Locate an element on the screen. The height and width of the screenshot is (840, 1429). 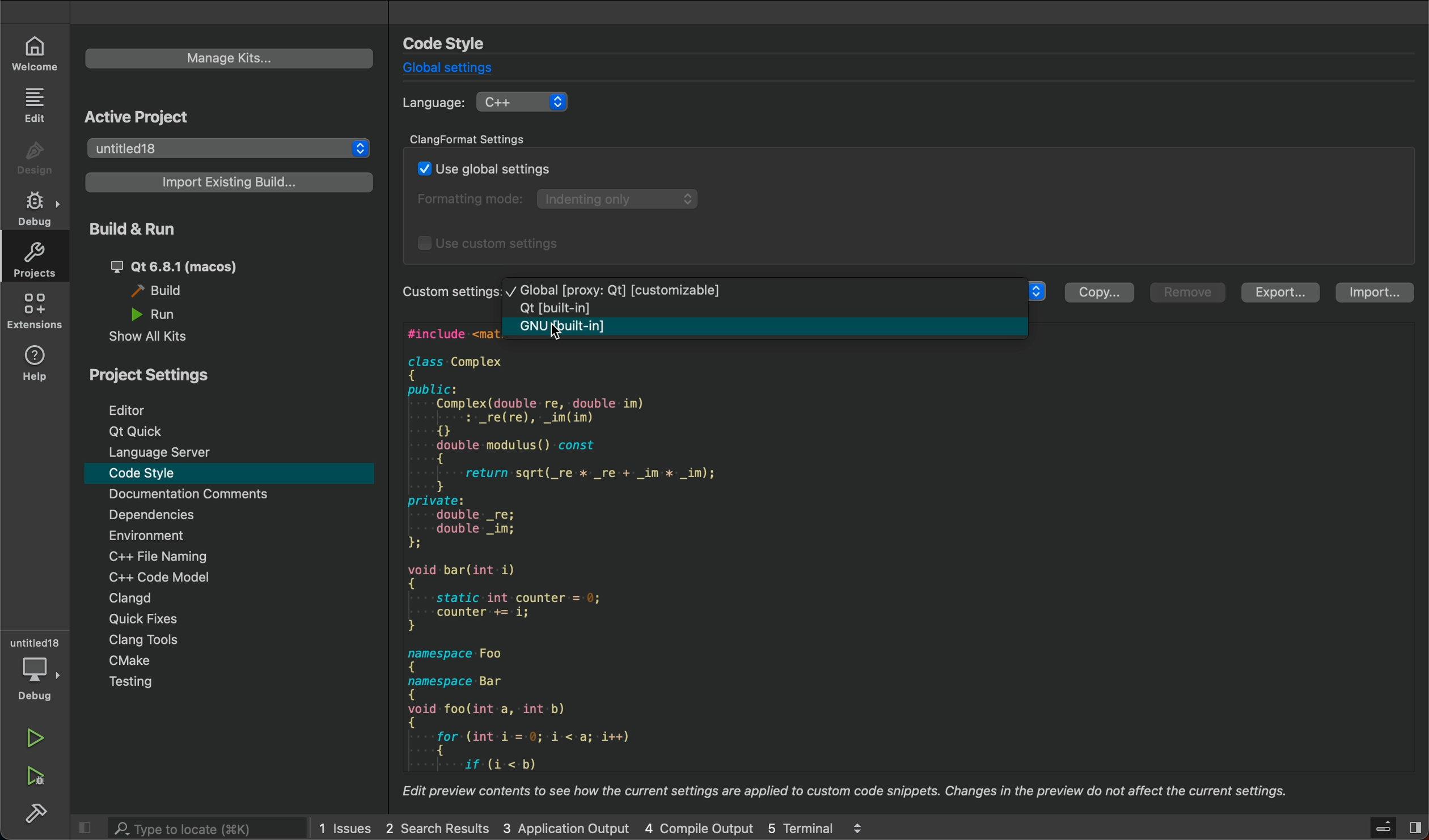
code style is located at coordinates (450, 43).